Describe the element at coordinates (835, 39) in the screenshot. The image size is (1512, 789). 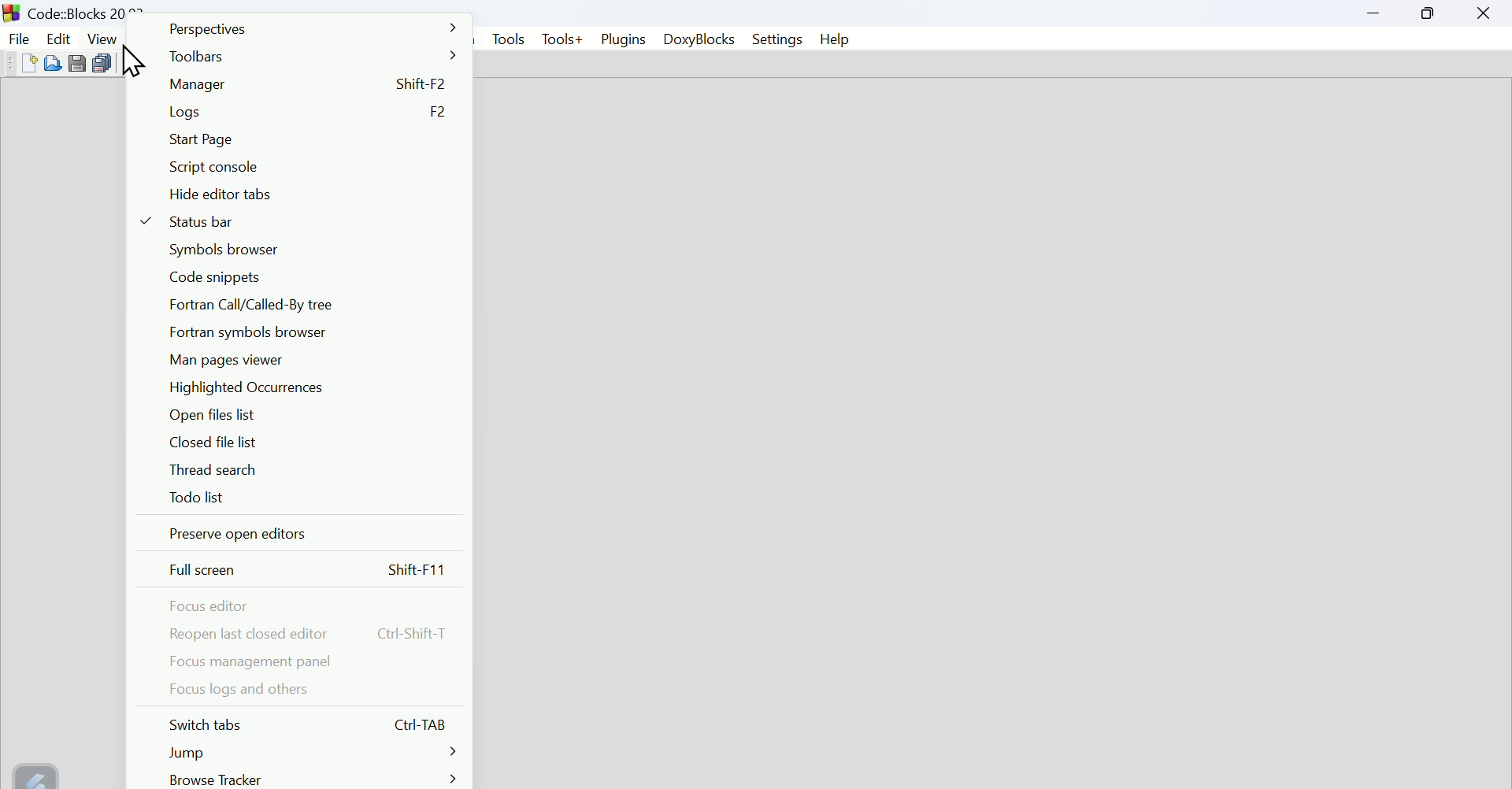
I see `help` at that location.